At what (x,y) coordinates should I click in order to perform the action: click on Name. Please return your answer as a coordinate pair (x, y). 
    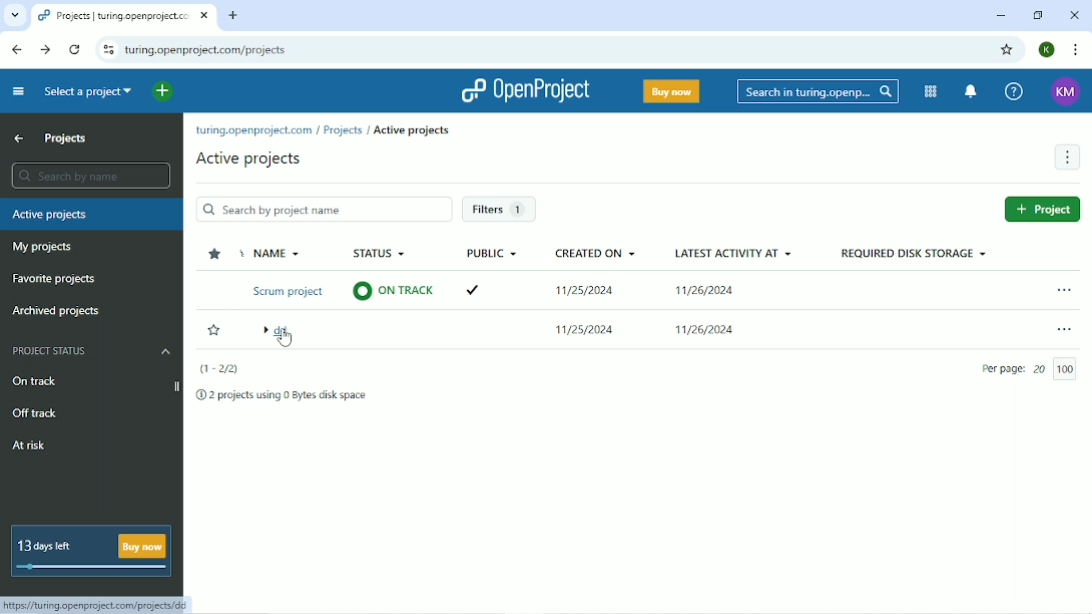
    Looking at the image, I should click on (278, 253).